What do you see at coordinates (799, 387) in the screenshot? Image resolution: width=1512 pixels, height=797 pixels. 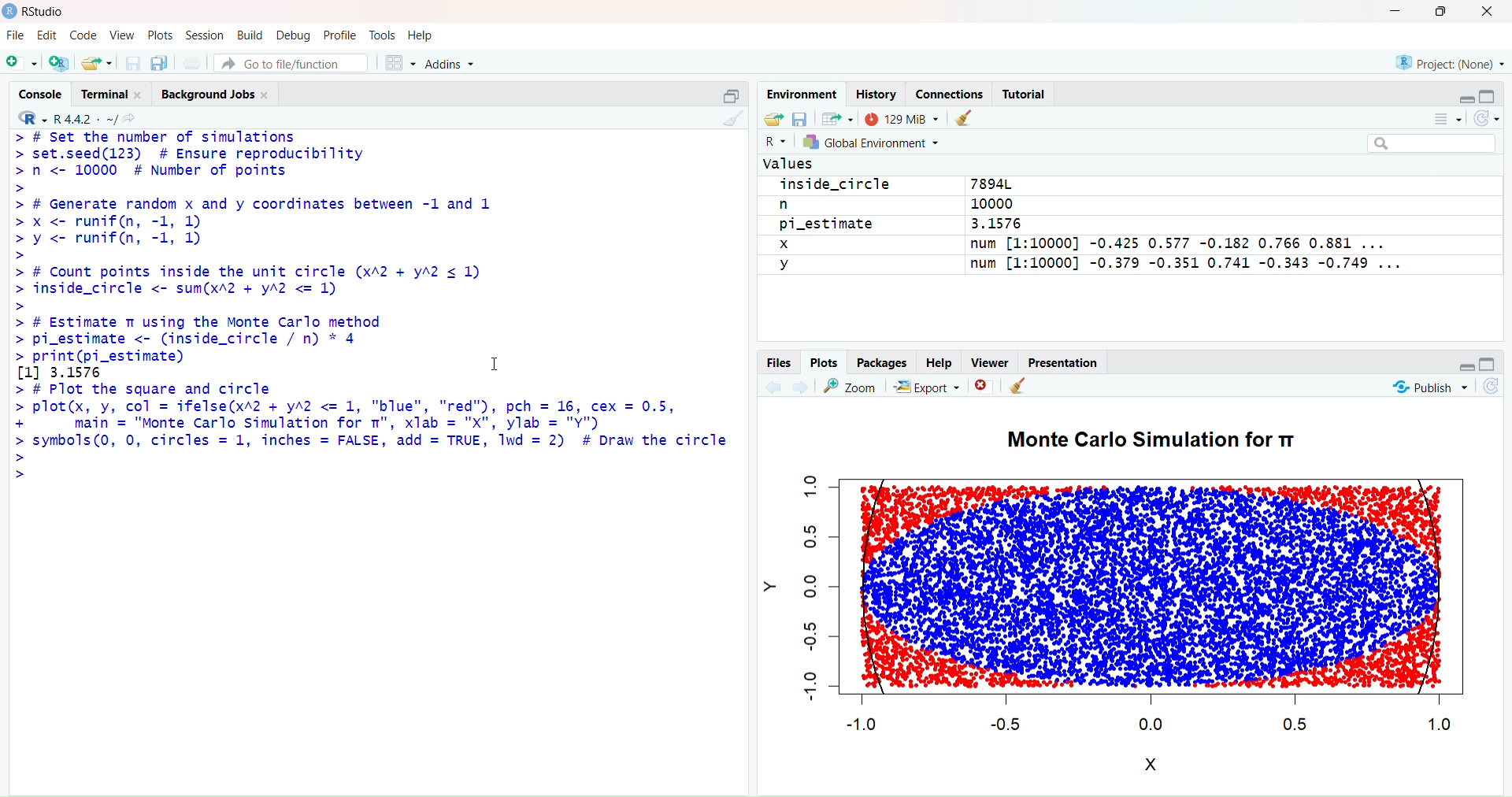 I see `Go forward to the next source location (Ctrl + F10)` at bounding box center [799, 387].